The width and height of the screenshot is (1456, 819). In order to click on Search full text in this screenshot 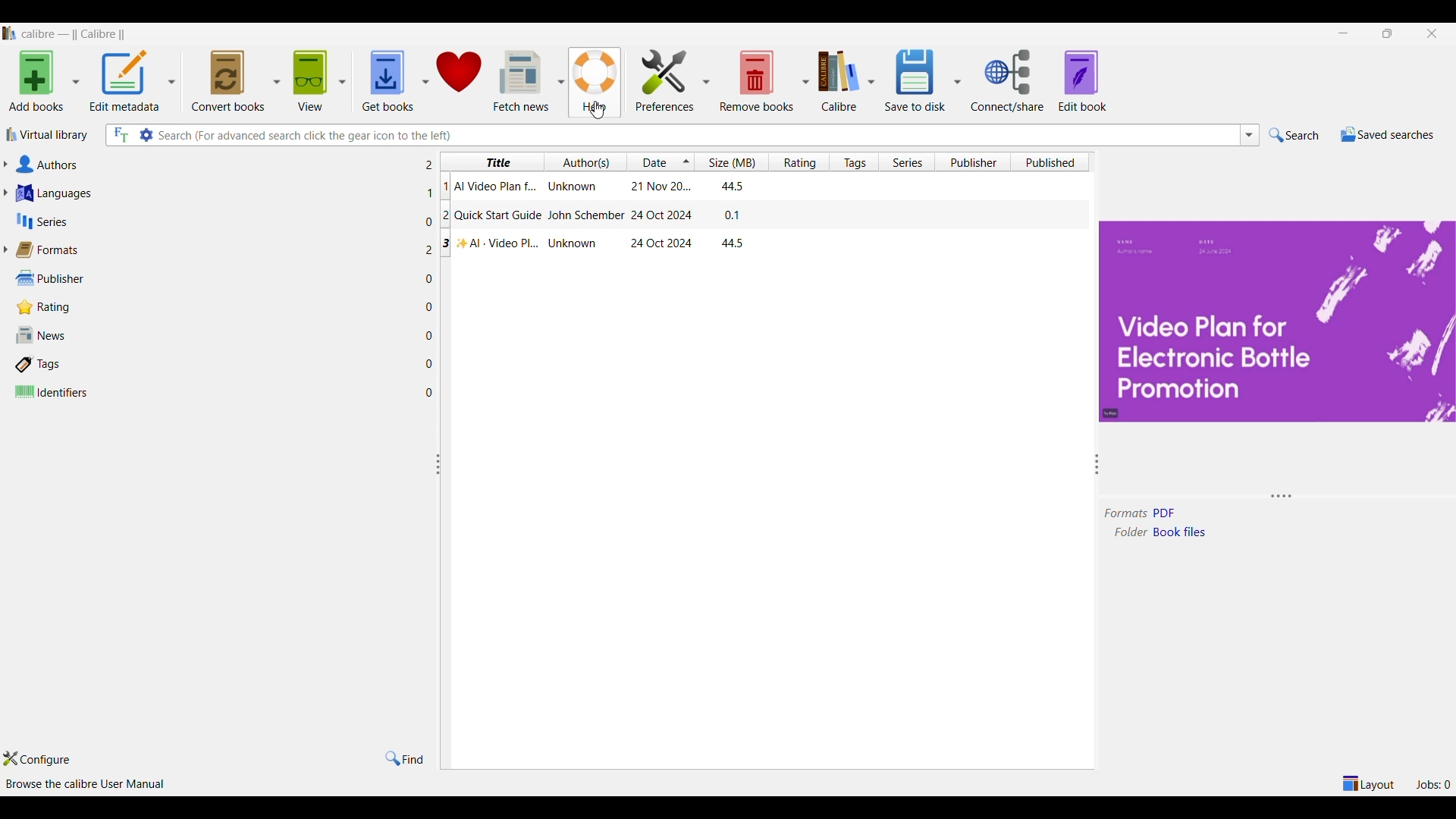, I will do `click(121, 135)`.